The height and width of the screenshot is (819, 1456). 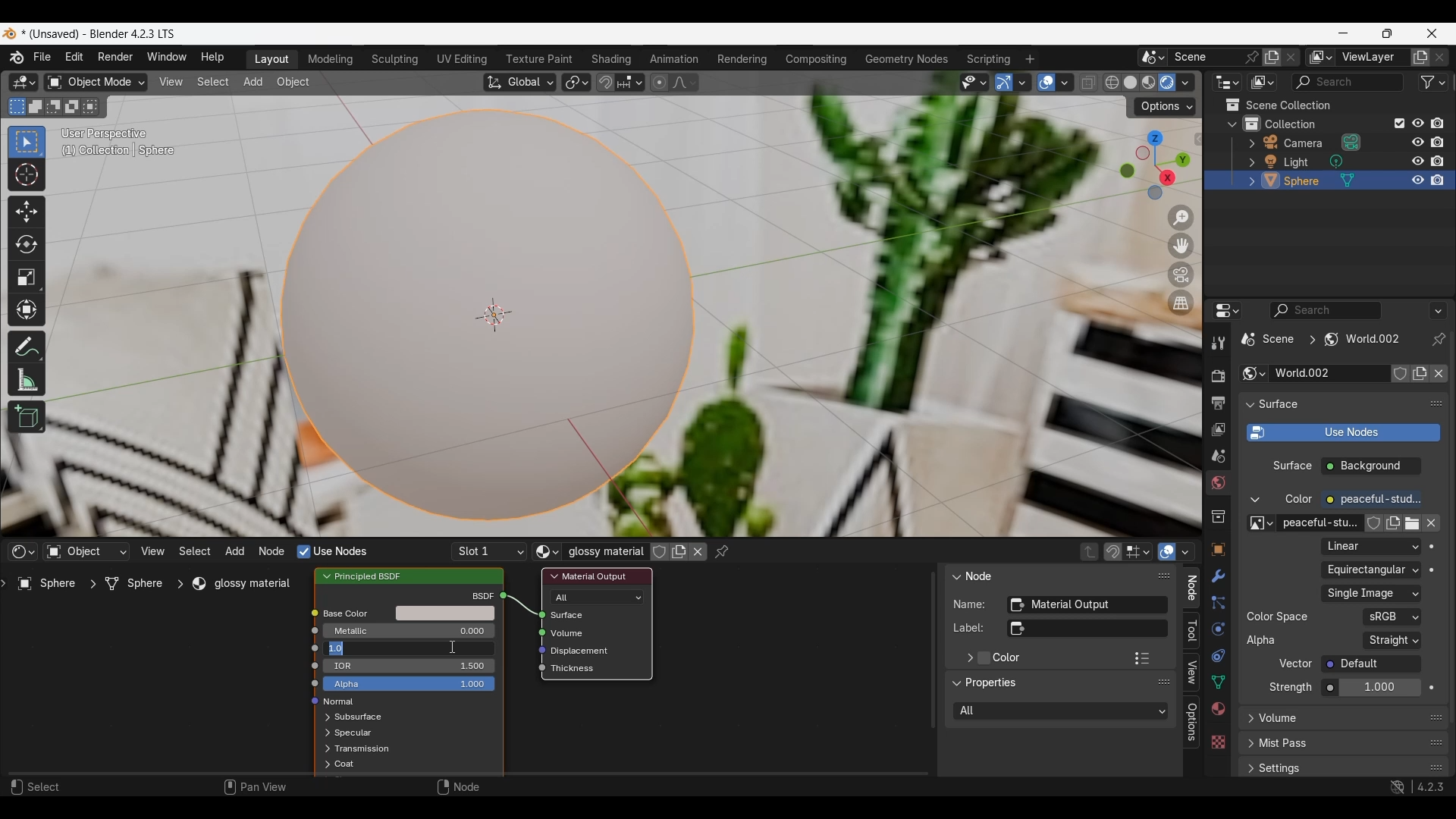 I want to click on Material properties, so click(x=1218, y=708).